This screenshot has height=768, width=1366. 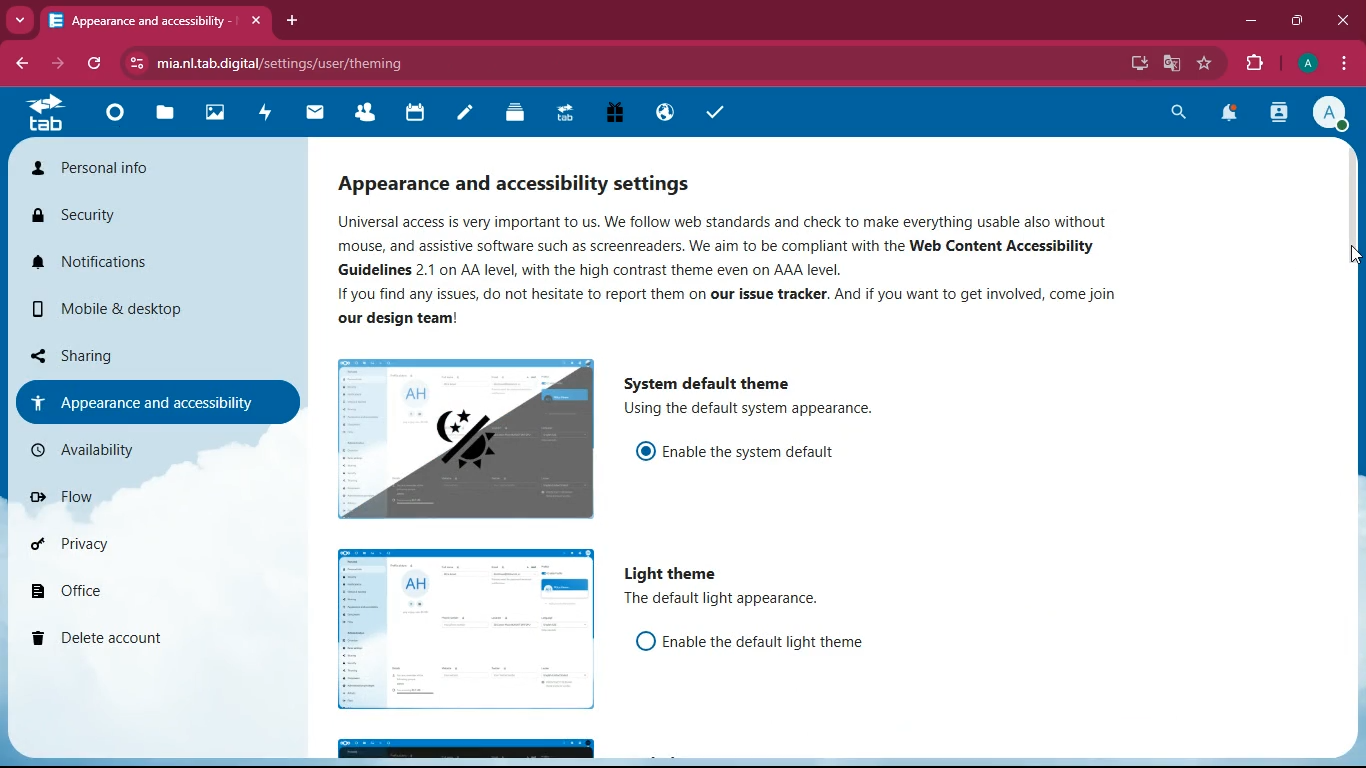 What do you see at coordinates (529, 185) in the screenshot?
I see `appearance` at bounding box center [529, 185].